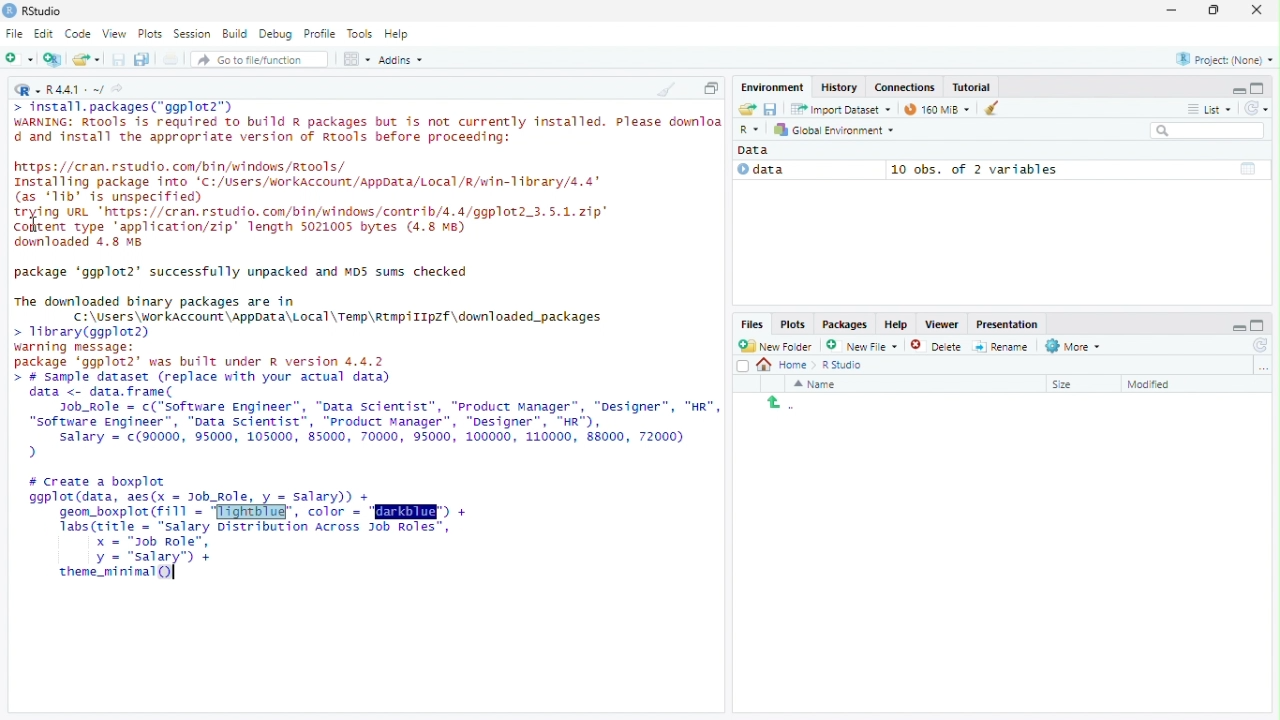 This screenshot has height=720, width=1280. What do you see at coordinates (278, 34) in the screenshot?
I see `Debug` at bounding box center [278, 34].